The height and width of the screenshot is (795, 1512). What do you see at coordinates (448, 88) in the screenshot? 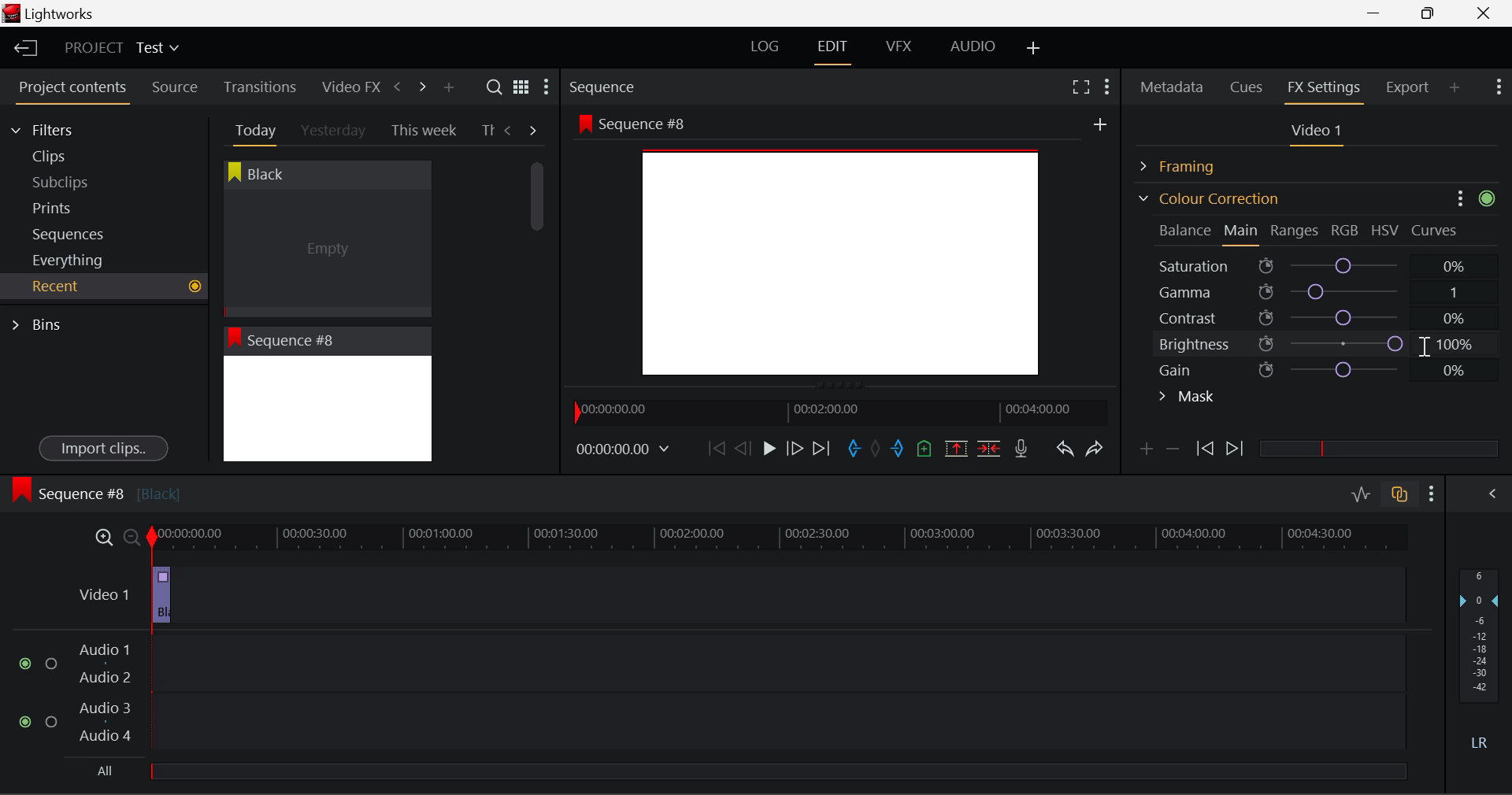
I see `Add Panel` at bounding box center [448, 88].